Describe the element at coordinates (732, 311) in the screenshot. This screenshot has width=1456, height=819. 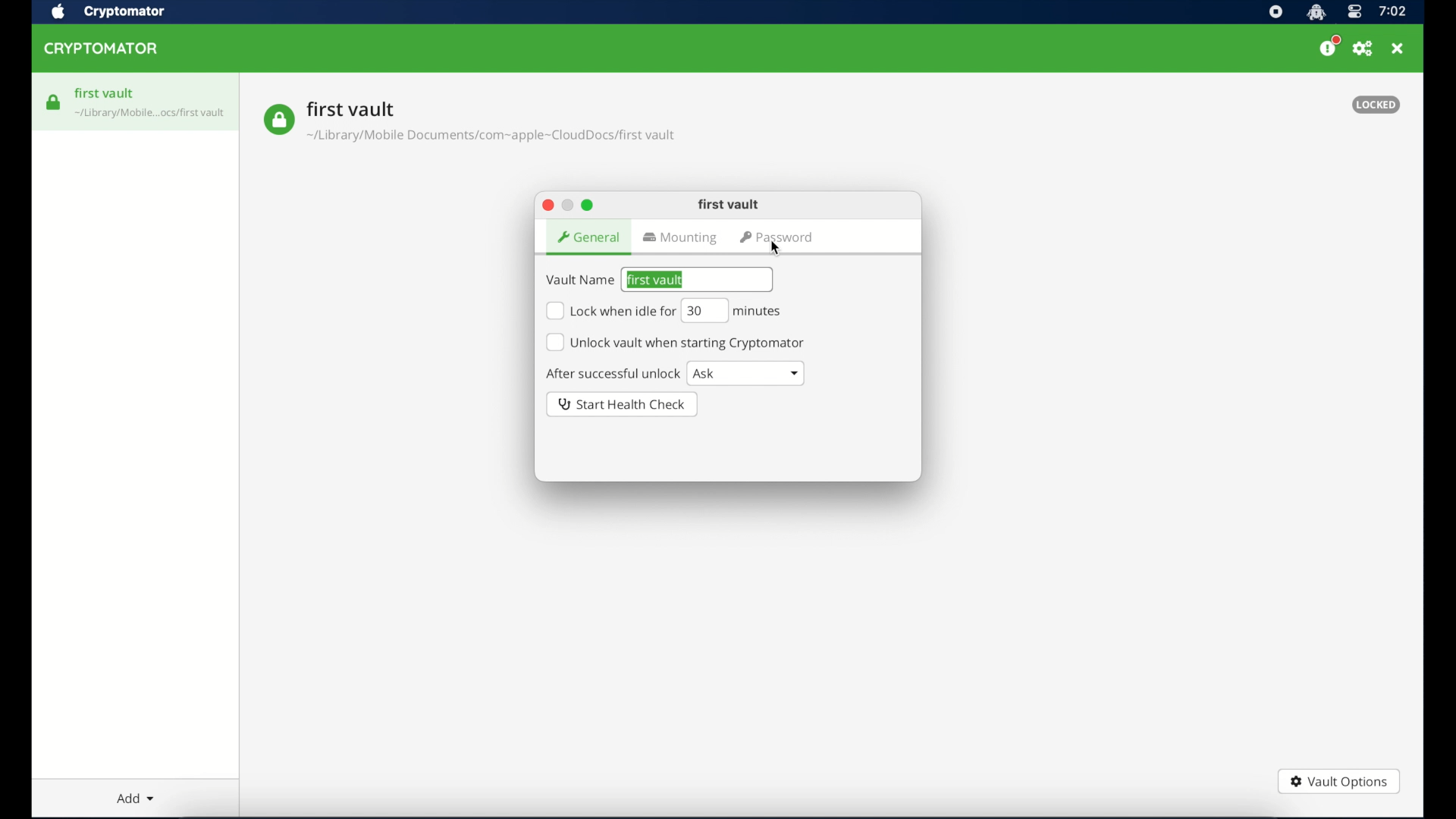
I see `30 minutes` at that location.